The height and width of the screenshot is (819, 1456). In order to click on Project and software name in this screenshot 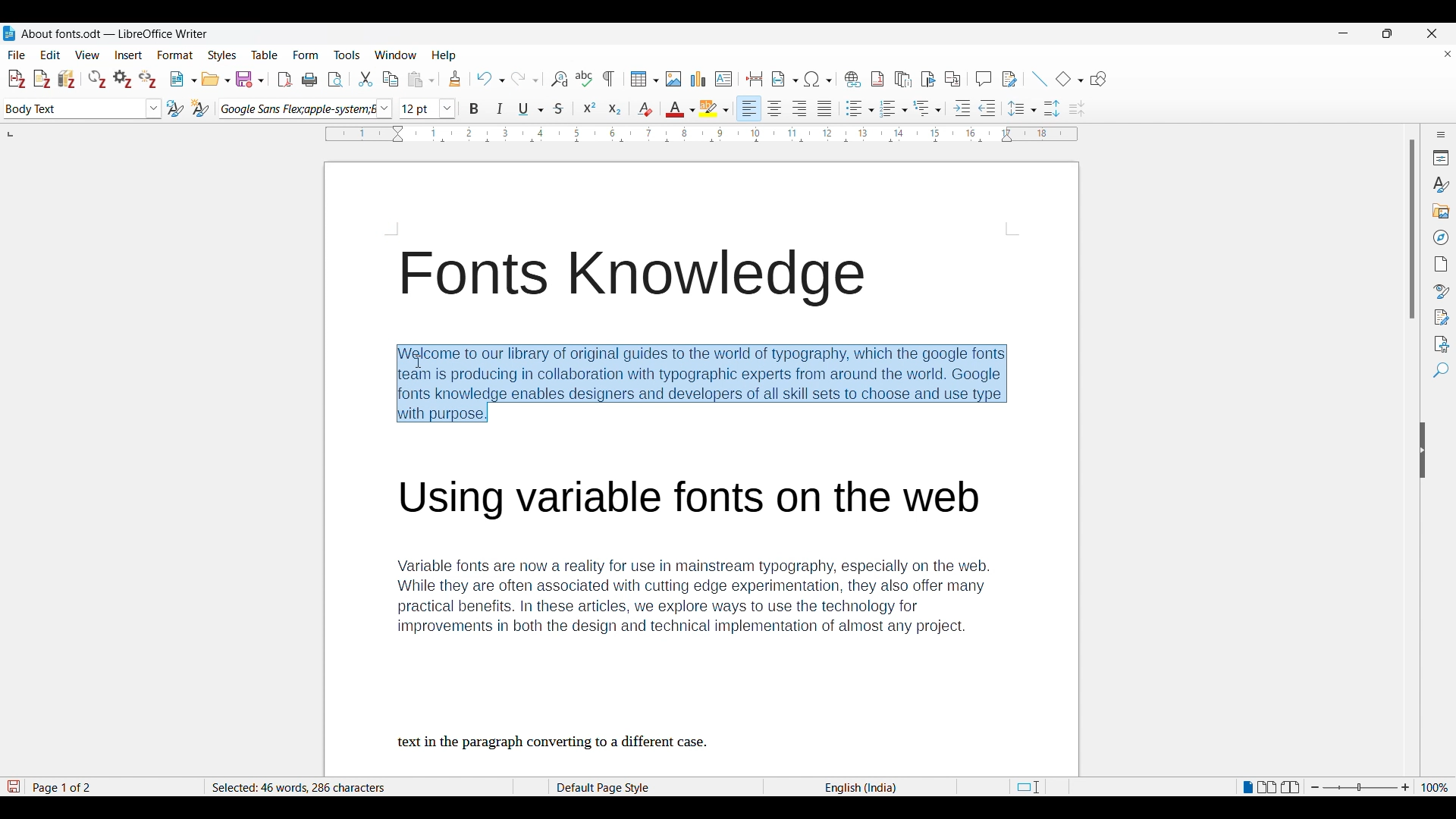, I will do `click(115, 34)`.